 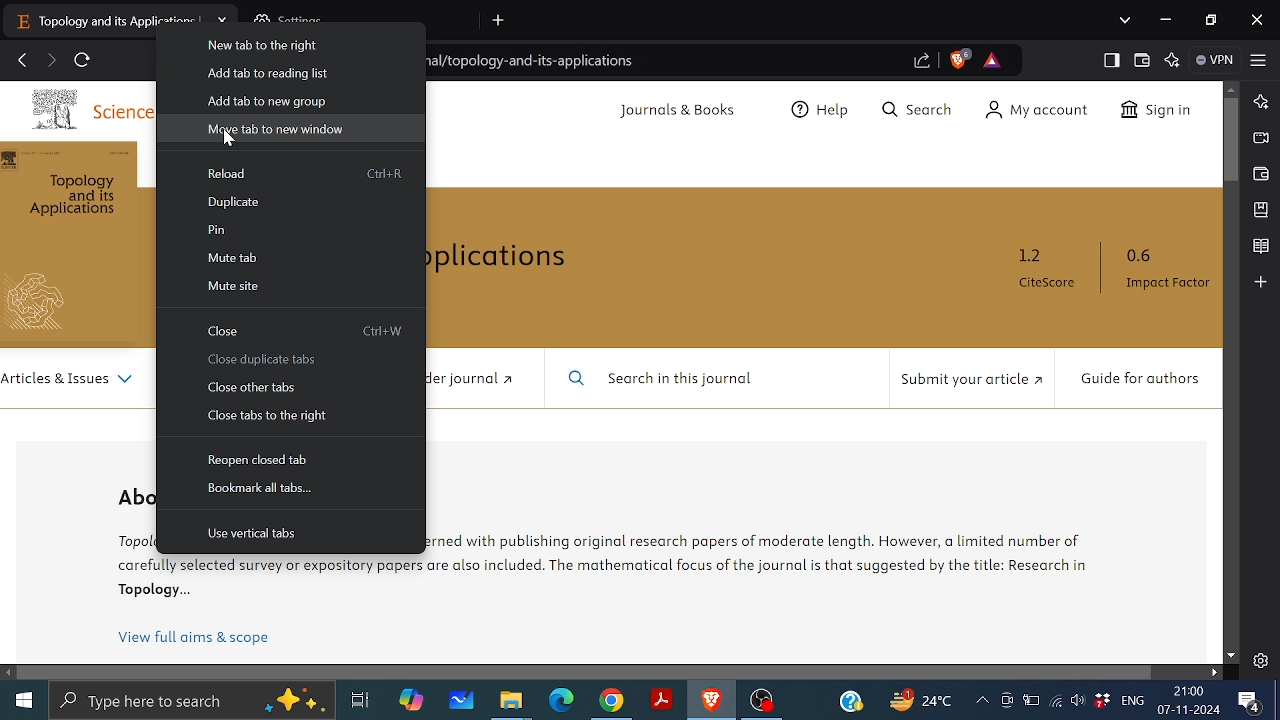 I want to click on Speaker/Headphone, so click(x=1076, y=701).